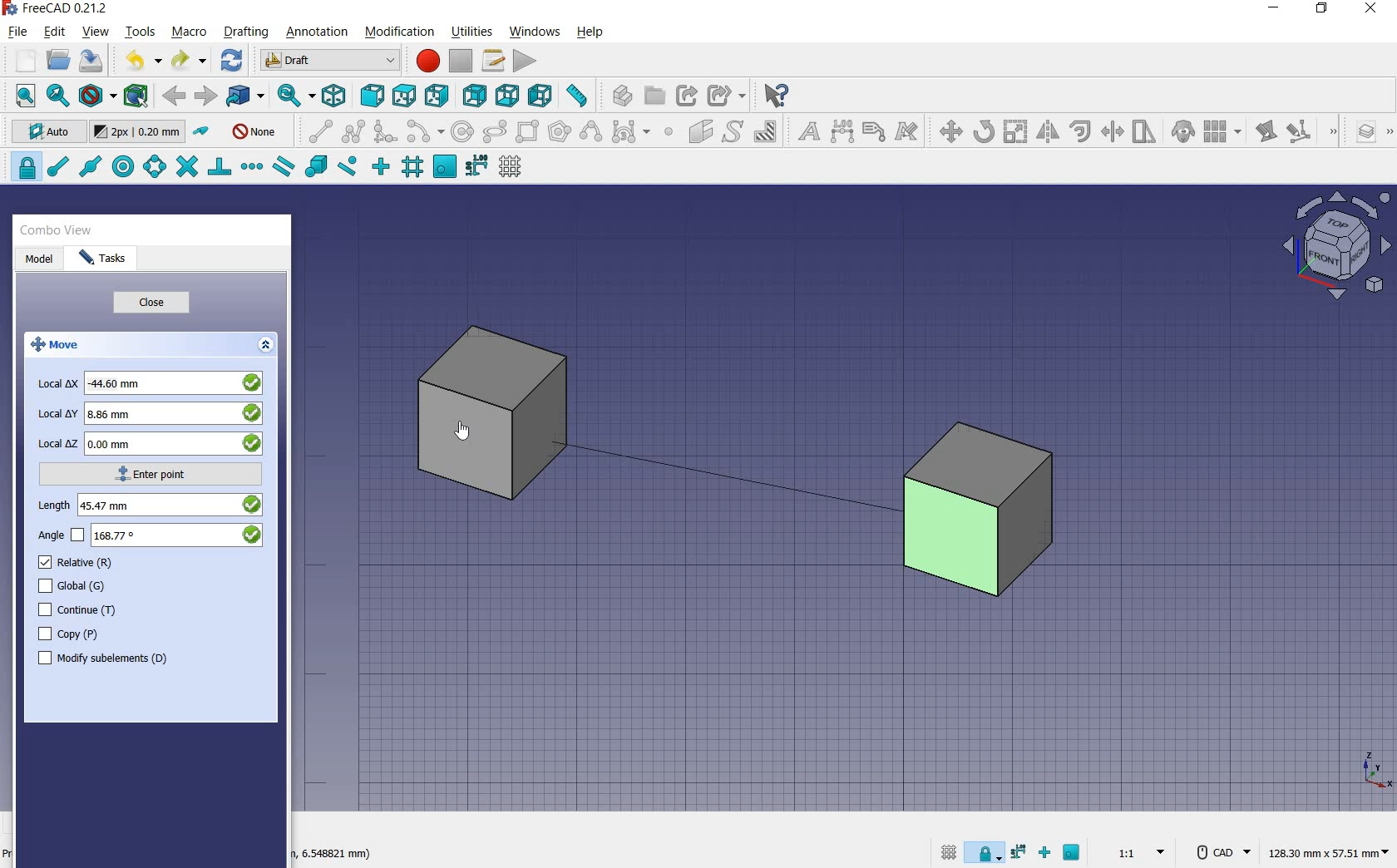 The width and height of the screenshot is (1397, 868). What do you see at coordinates (151, 474) in the screenshot?
I see `enter point` at bounding box center [151, 474].